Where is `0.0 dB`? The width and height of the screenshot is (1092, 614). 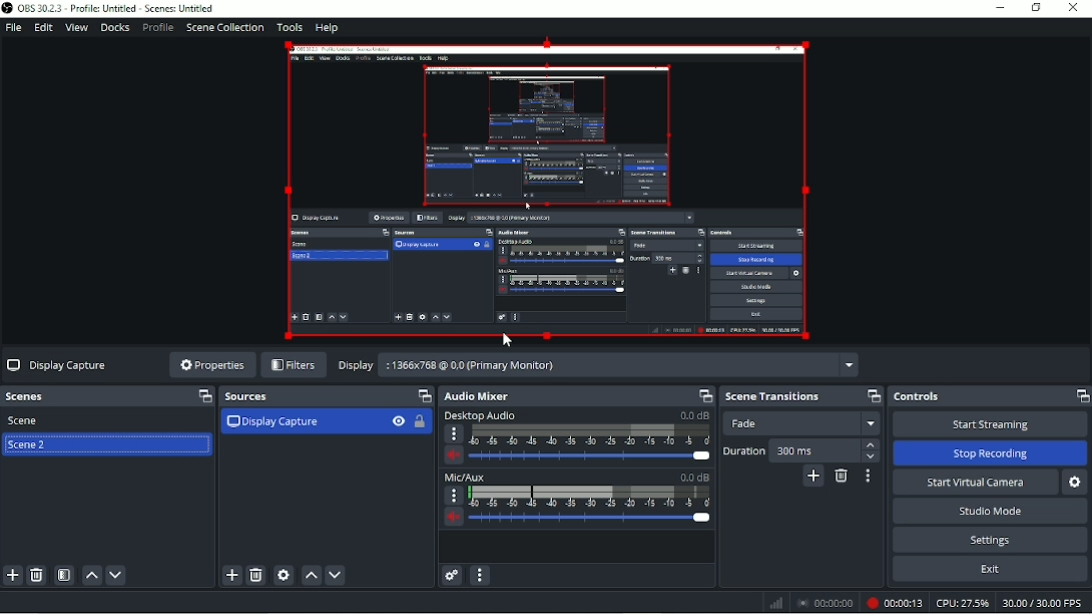 0.0 dB is located at coordinates (694, 415).